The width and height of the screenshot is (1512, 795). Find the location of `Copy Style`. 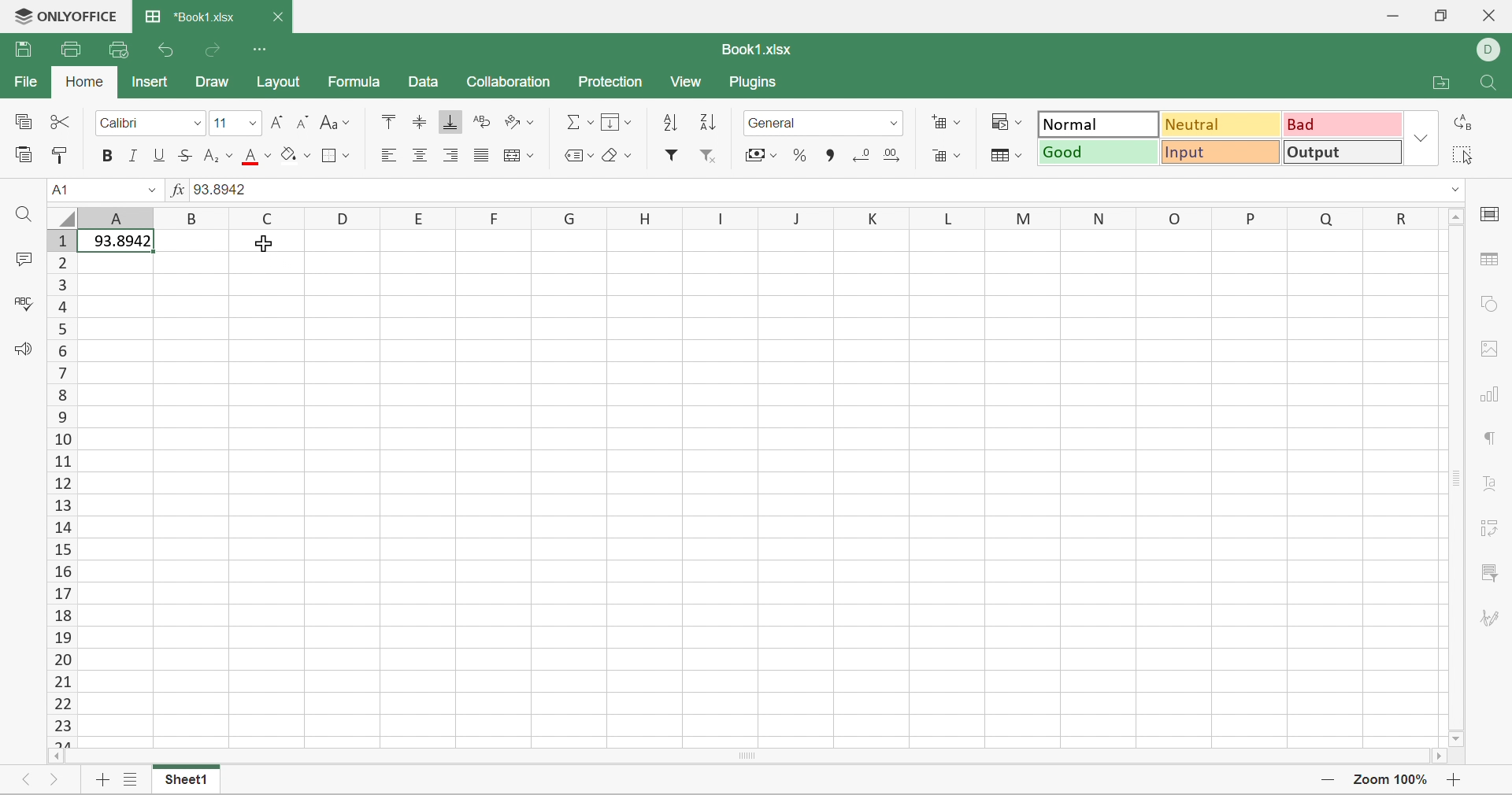

Copy Style is located at coordinates (65, 156).